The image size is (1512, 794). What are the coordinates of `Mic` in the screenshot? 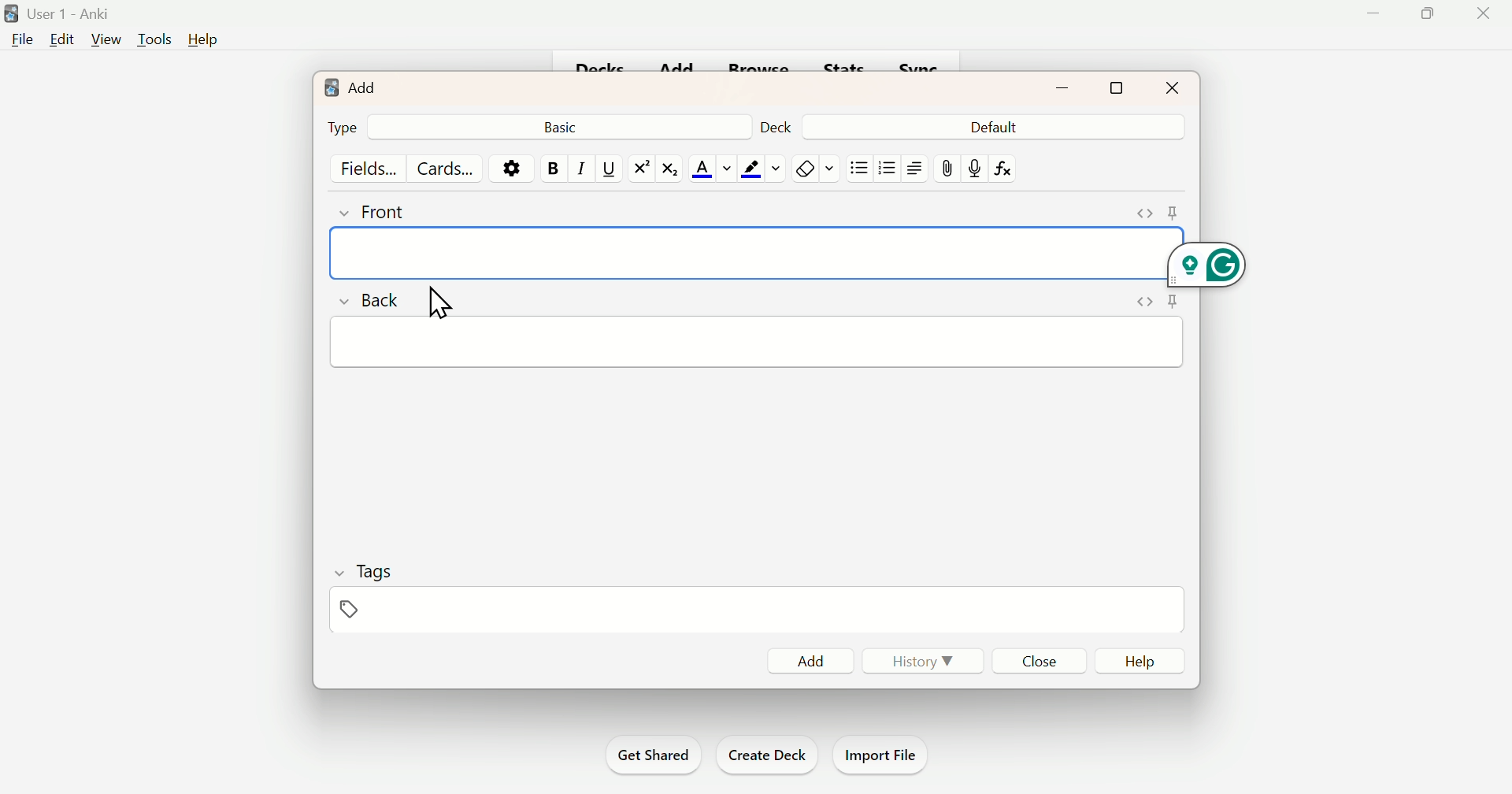 It's located at (973, 165).